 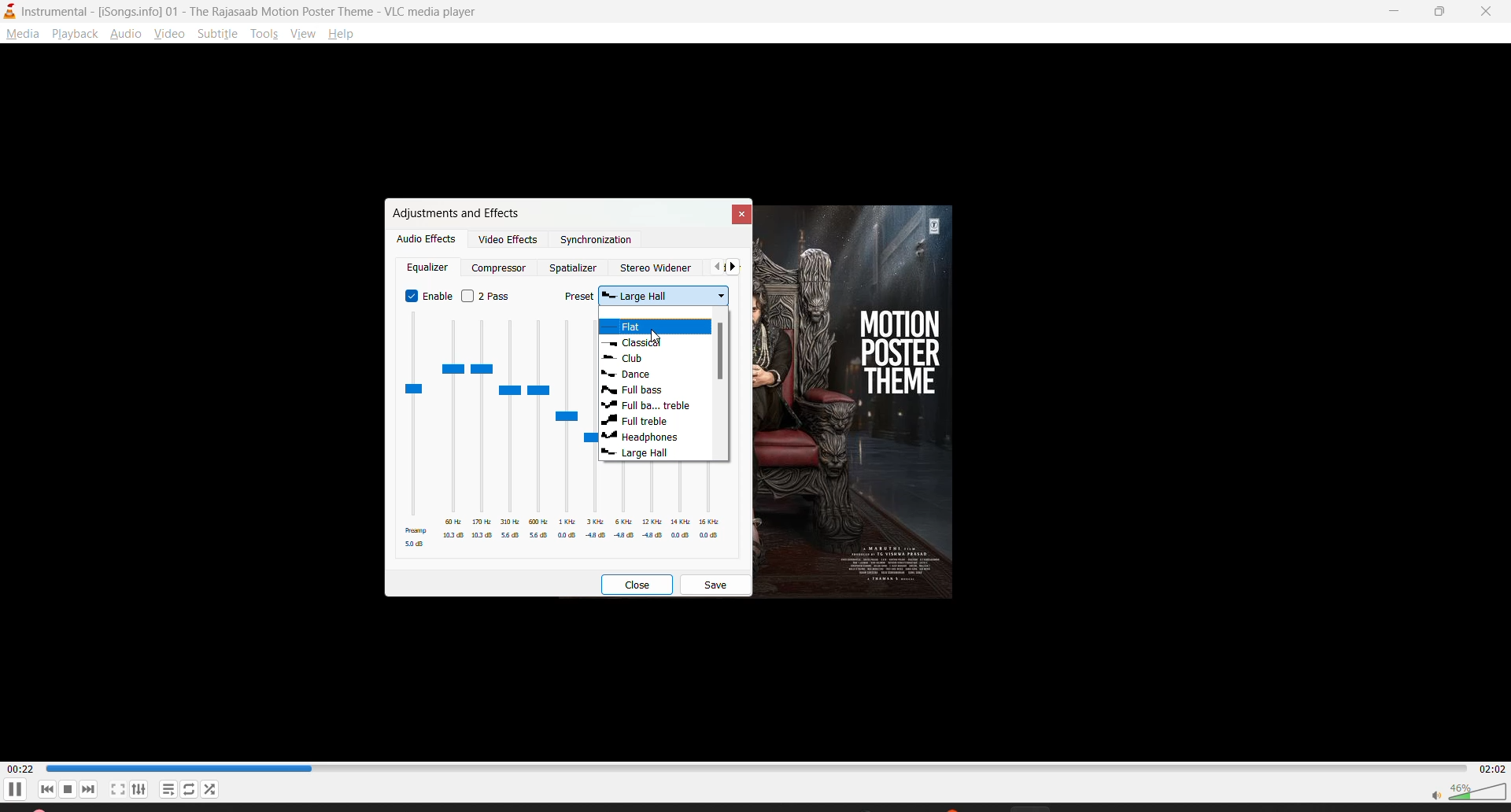 What do you see at coordinates (456, 212) in the screenshot?
I see `adjustments and effects` at bounding box center [456, 212].